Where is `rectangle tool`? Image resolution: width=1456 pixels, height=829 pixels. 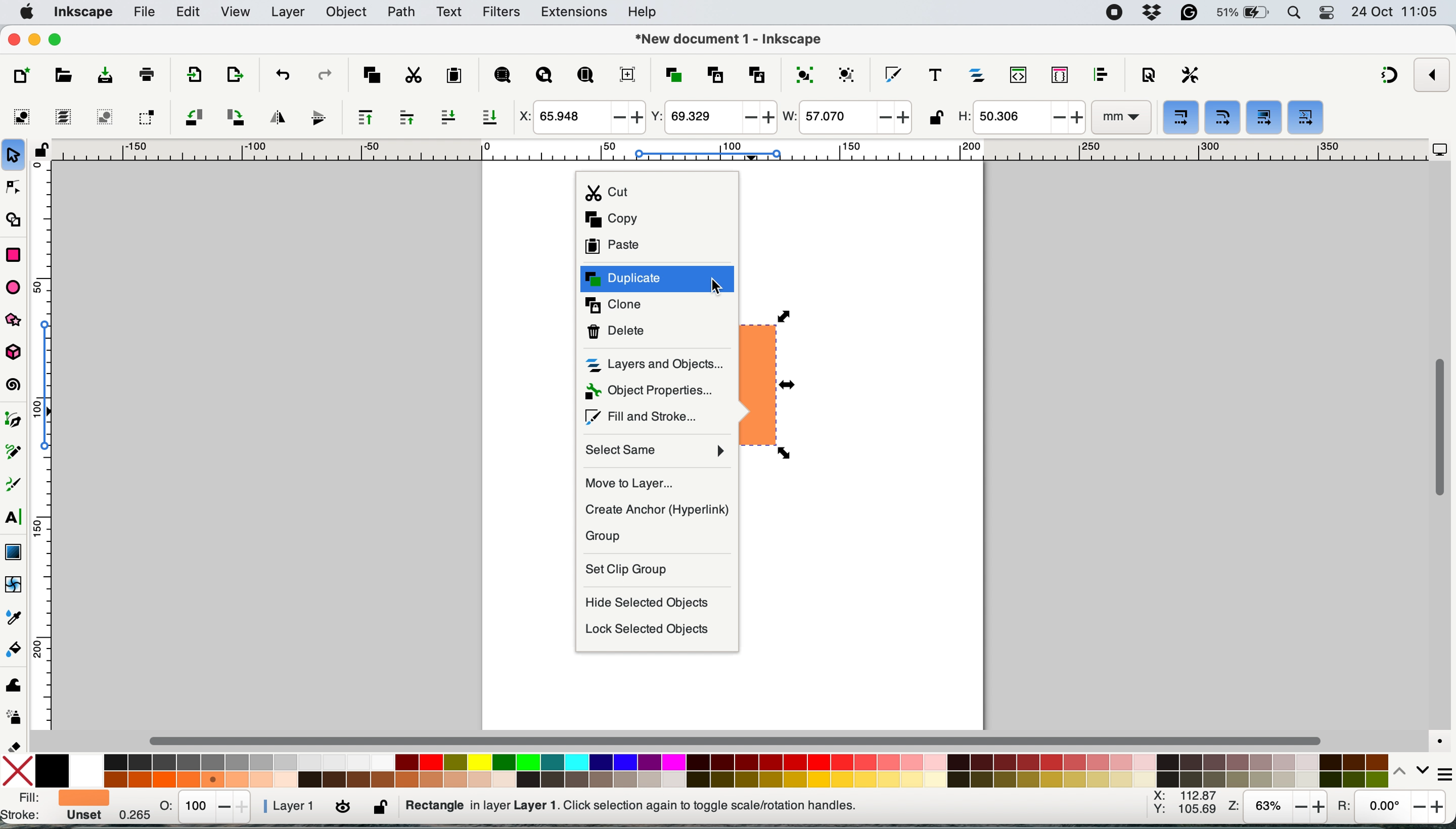 rectangle tool is located at coordinates (13, 253).